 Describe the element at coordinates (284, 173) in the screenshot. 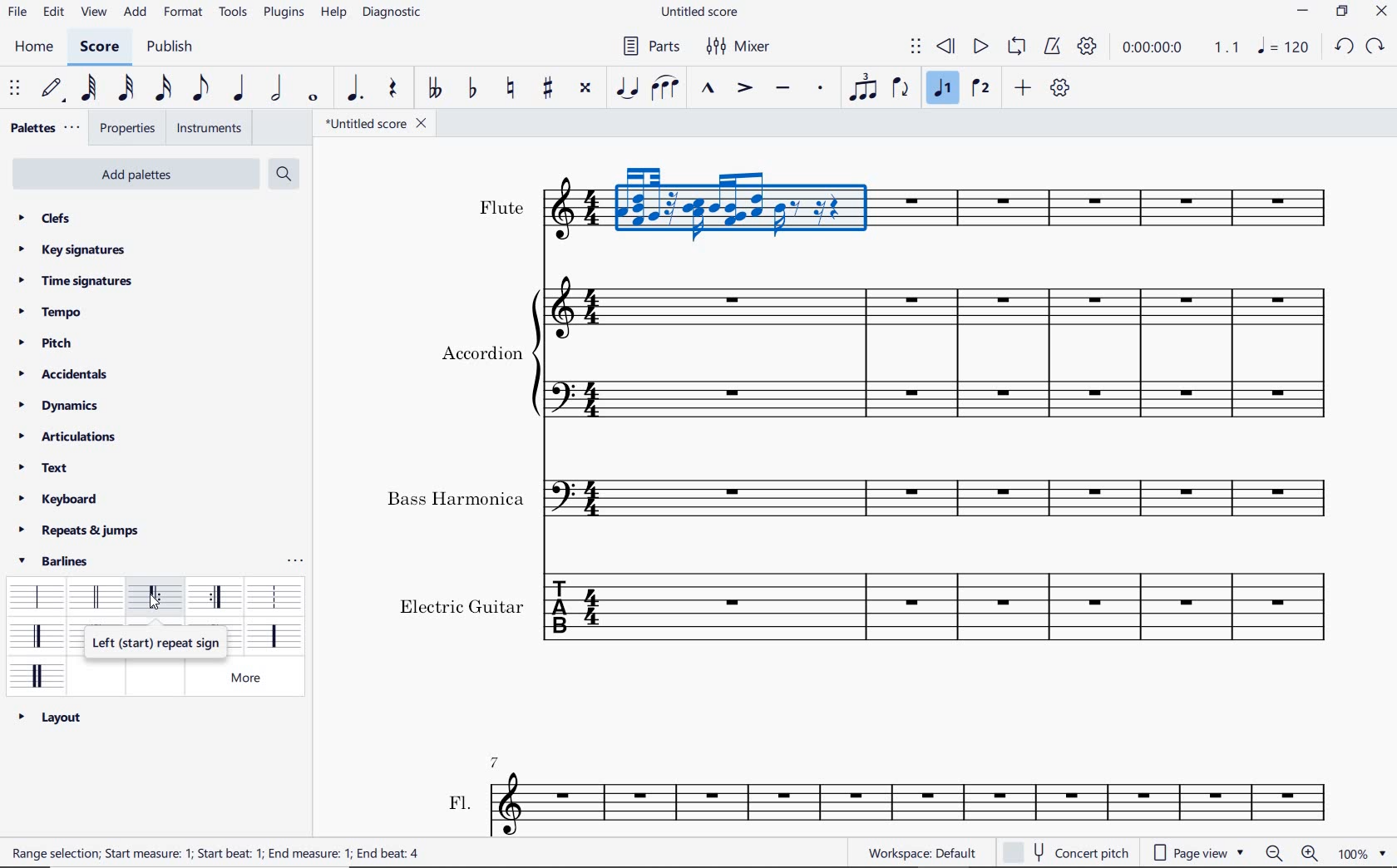

I see `search palettes` at that location.